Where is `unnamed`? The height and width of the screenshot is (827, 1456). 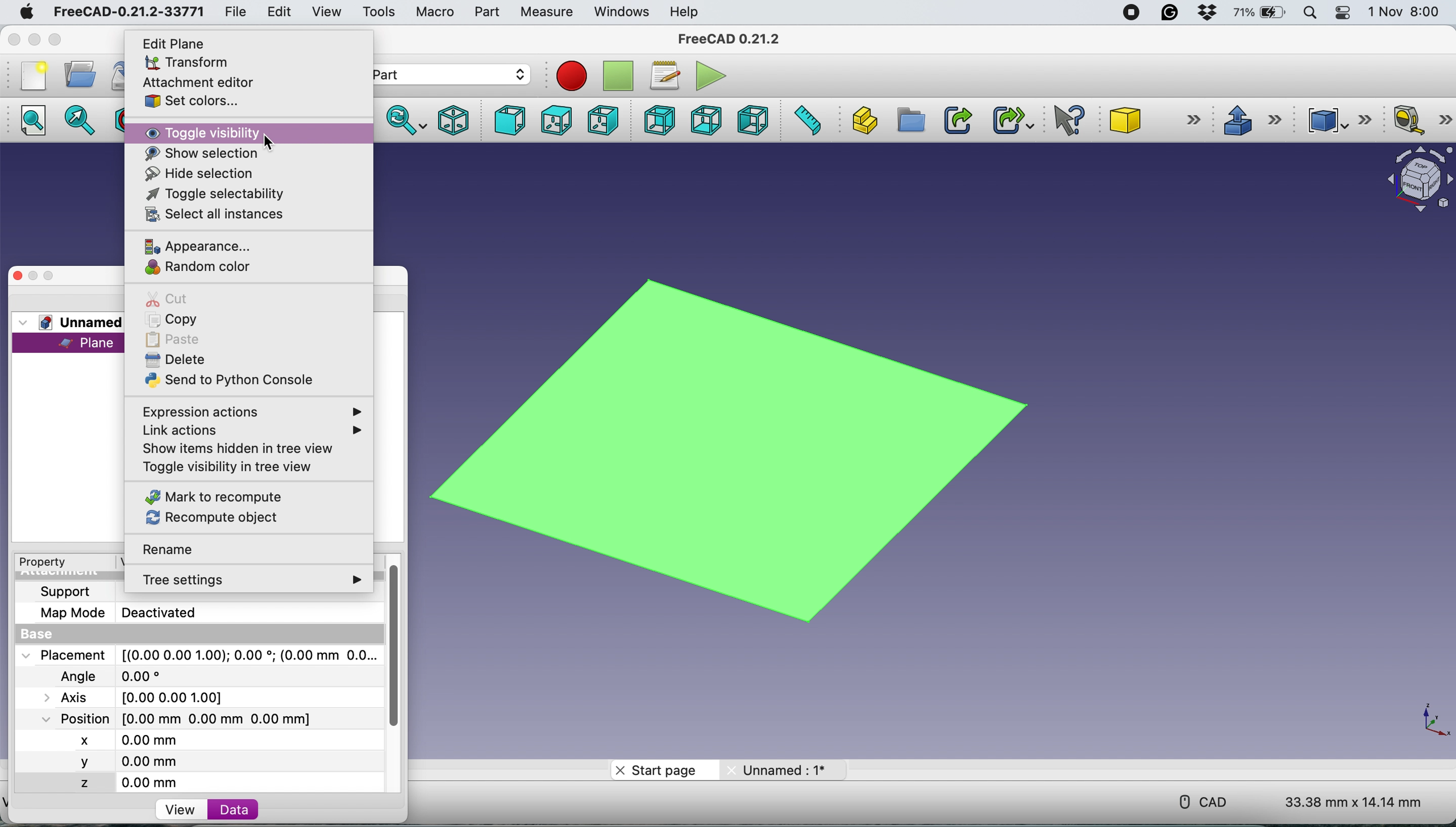 unnamed is located at coordinates (71, 320).